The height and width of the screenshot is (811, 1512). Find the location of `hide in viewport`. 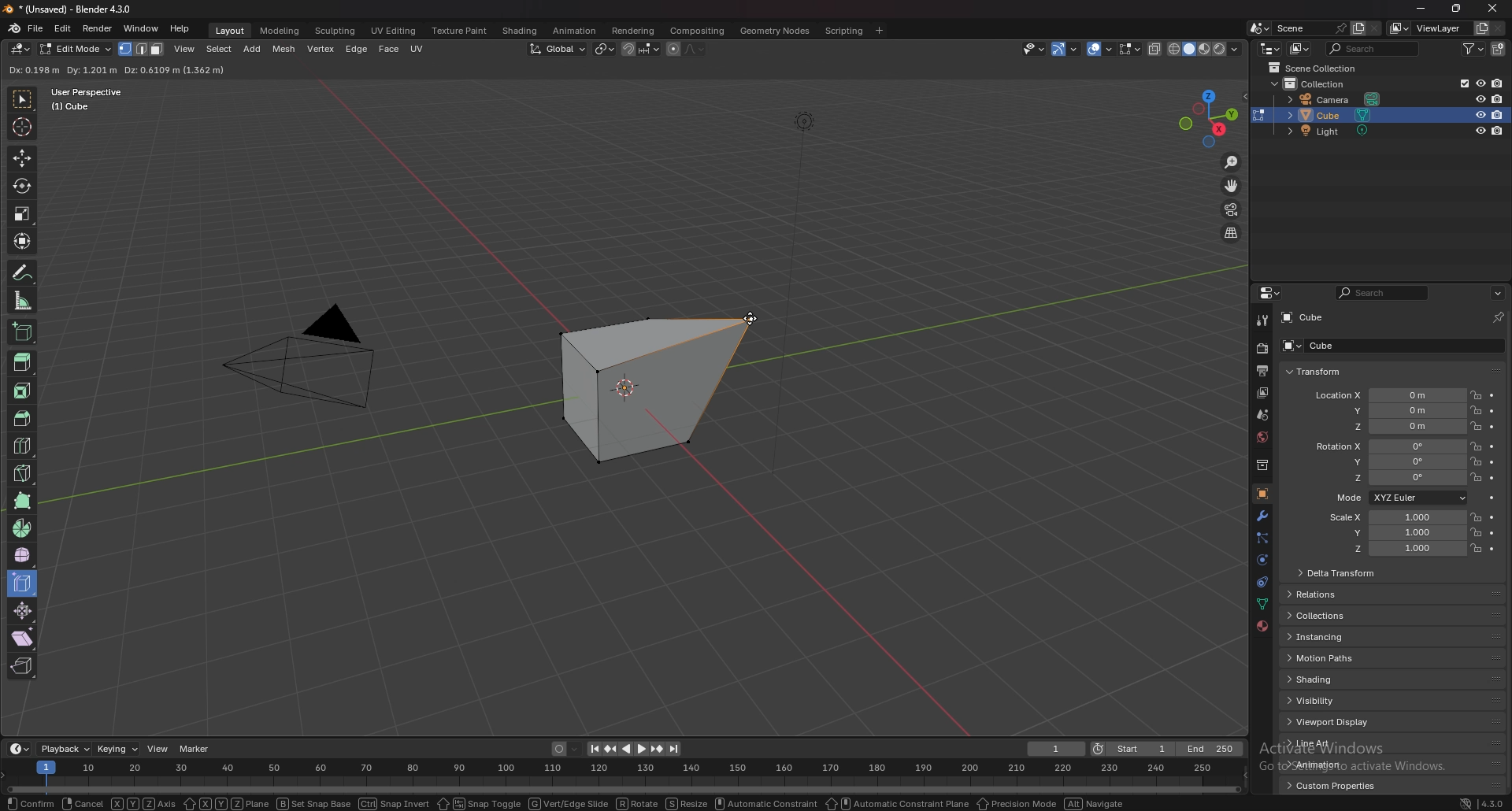

hide in viewport is located at coordinates (1478, 98).